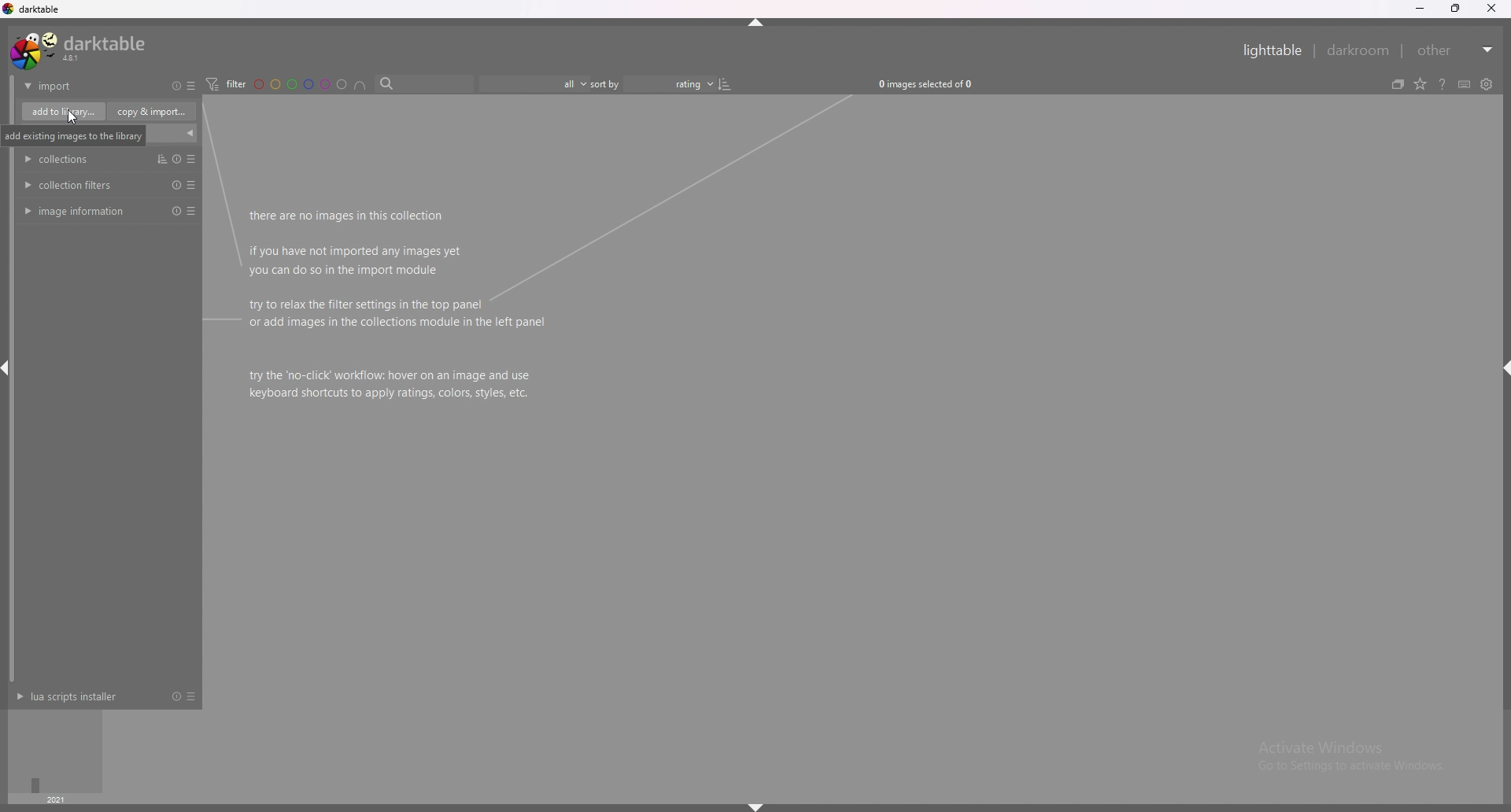  I want to click on shift+ctlr+r, so click(1502, 367).